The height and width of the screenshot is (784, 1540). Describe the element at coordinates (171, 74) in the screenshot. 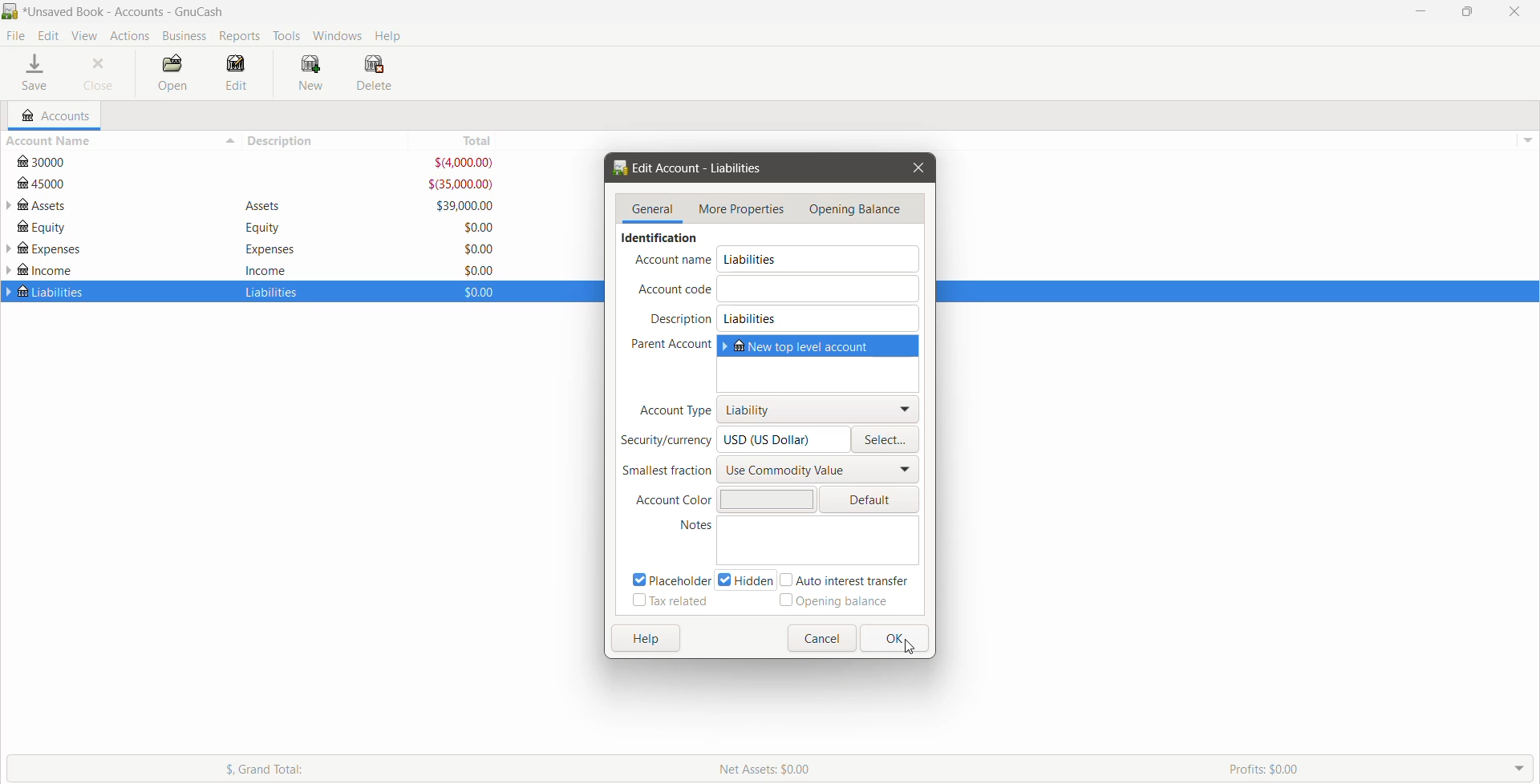

I see `Open` at that location.